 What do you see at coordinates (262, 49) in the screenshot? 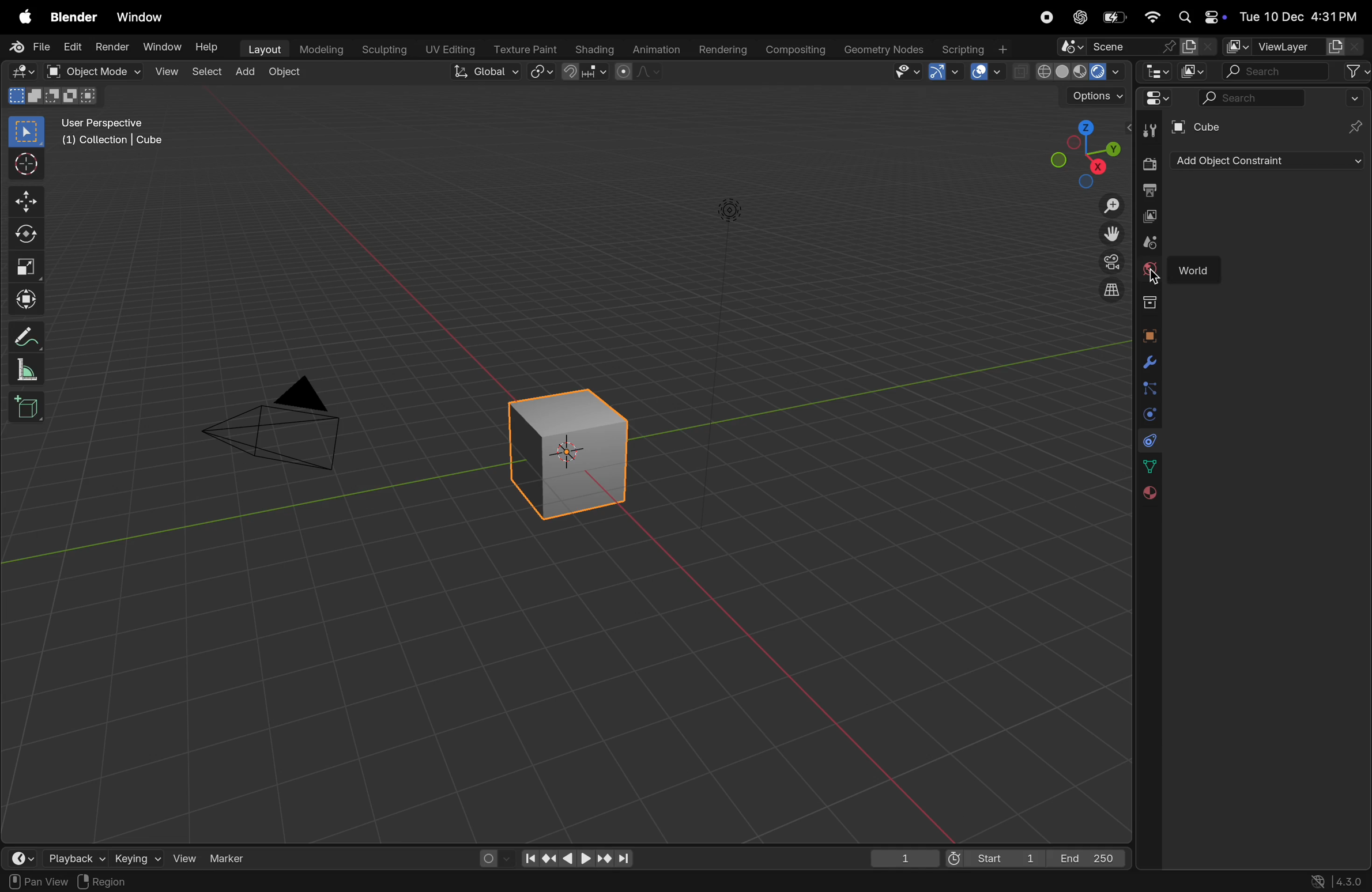
I see `Layout` at bounding box center [262, 49].